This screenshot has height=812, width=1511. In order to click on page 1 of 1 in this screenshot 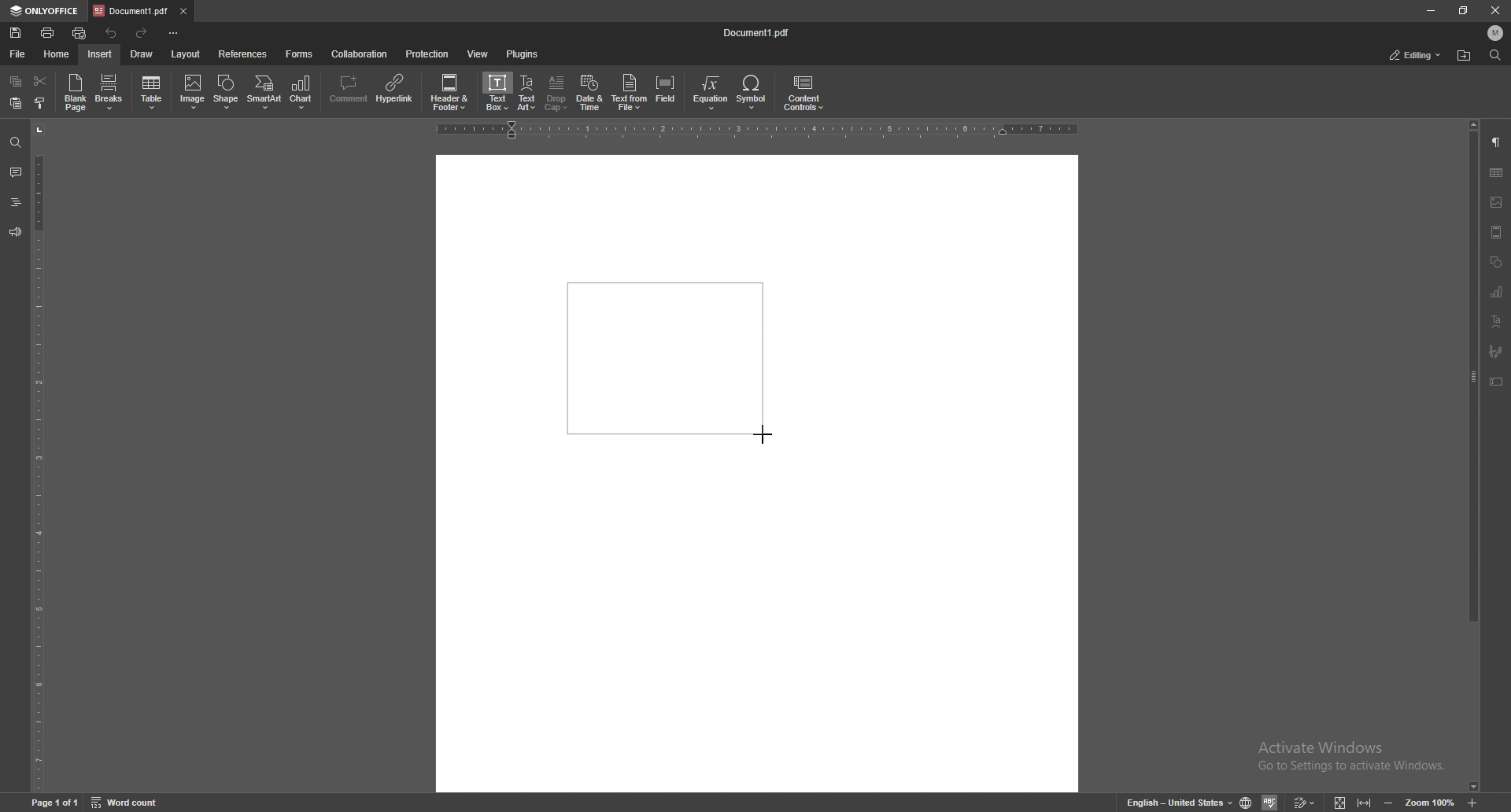, I will do `click(56, 803)`.